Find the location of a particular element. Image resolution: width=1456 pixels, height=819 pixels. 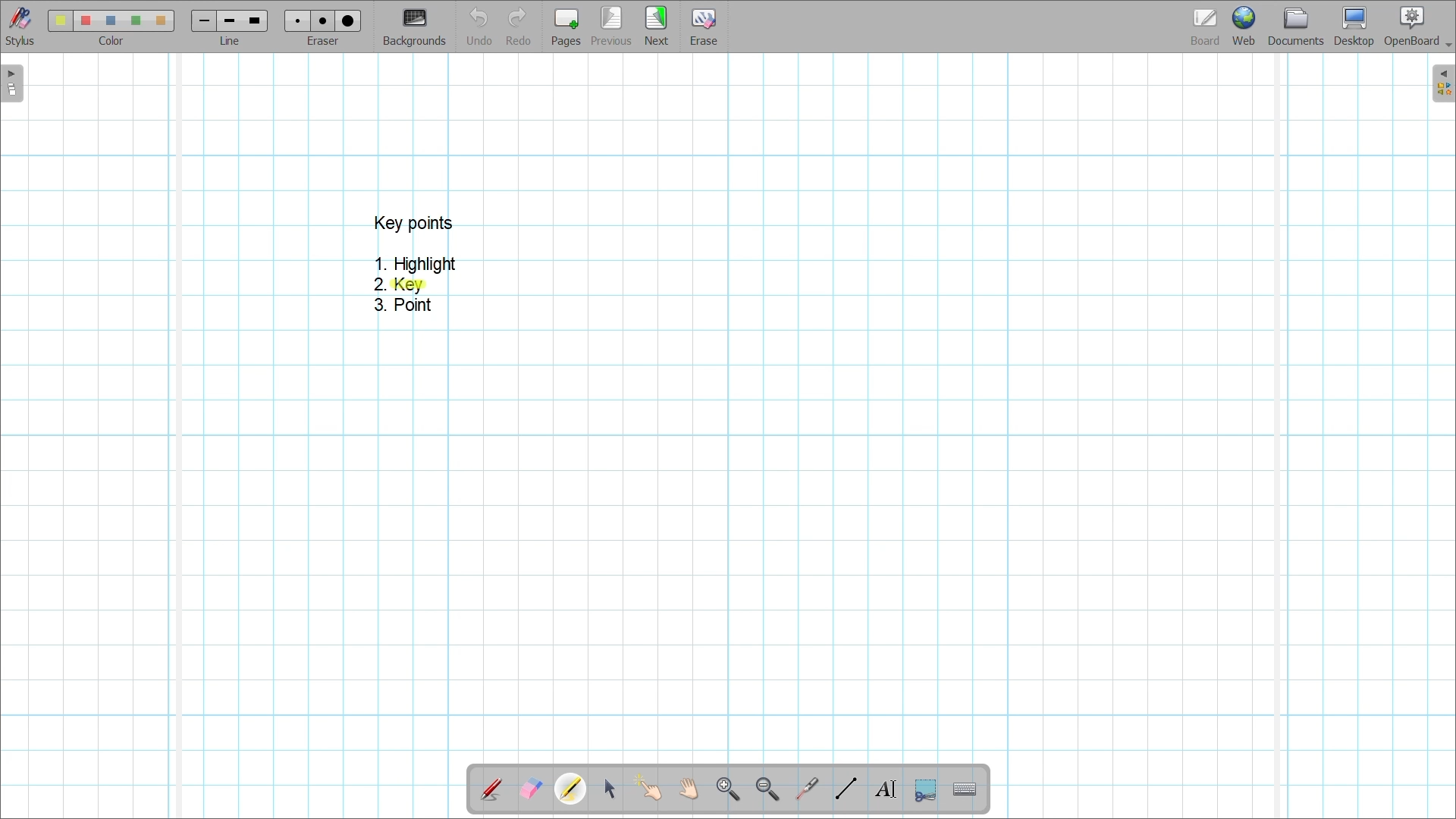

eraser is located at coordinates (326, 42).